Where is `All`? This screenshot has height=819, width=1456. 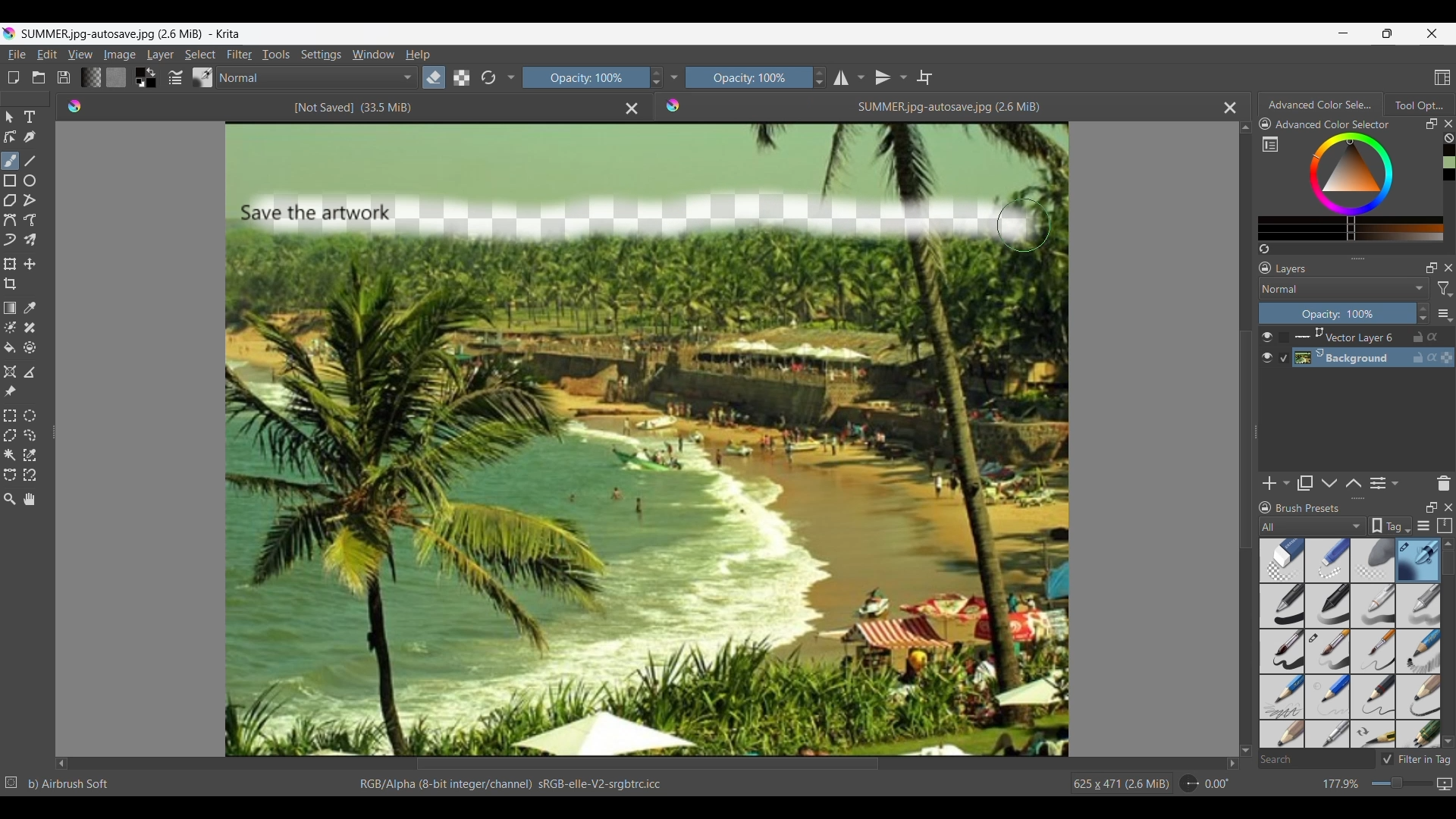 All is located at coordinates (1312, 526).